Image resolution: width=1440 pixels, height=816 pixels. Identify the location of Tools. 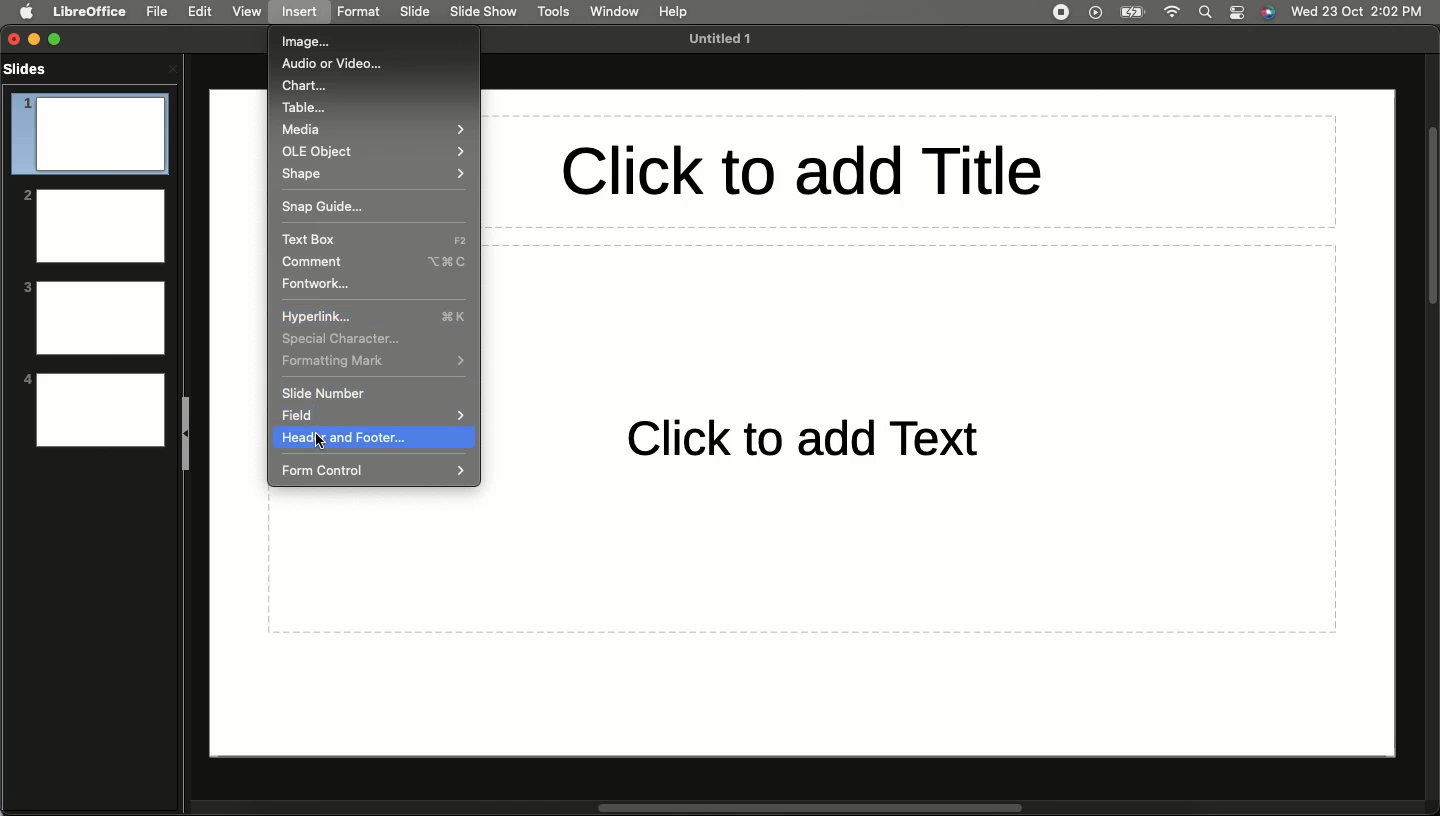
(553, 12).